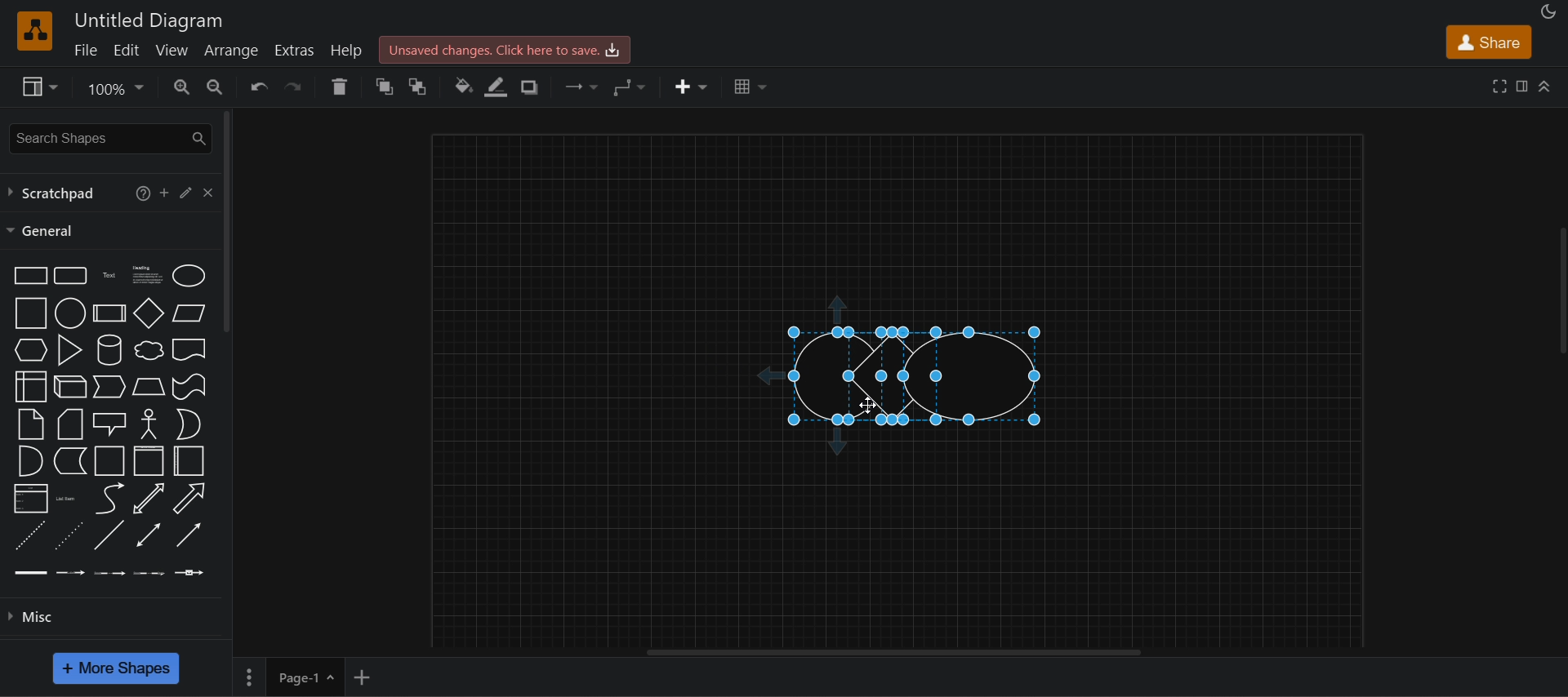  What do you see at coordinates (914, 420) in the screenshot?
I see `action points to transform shape` at bounding box center [914, 420].